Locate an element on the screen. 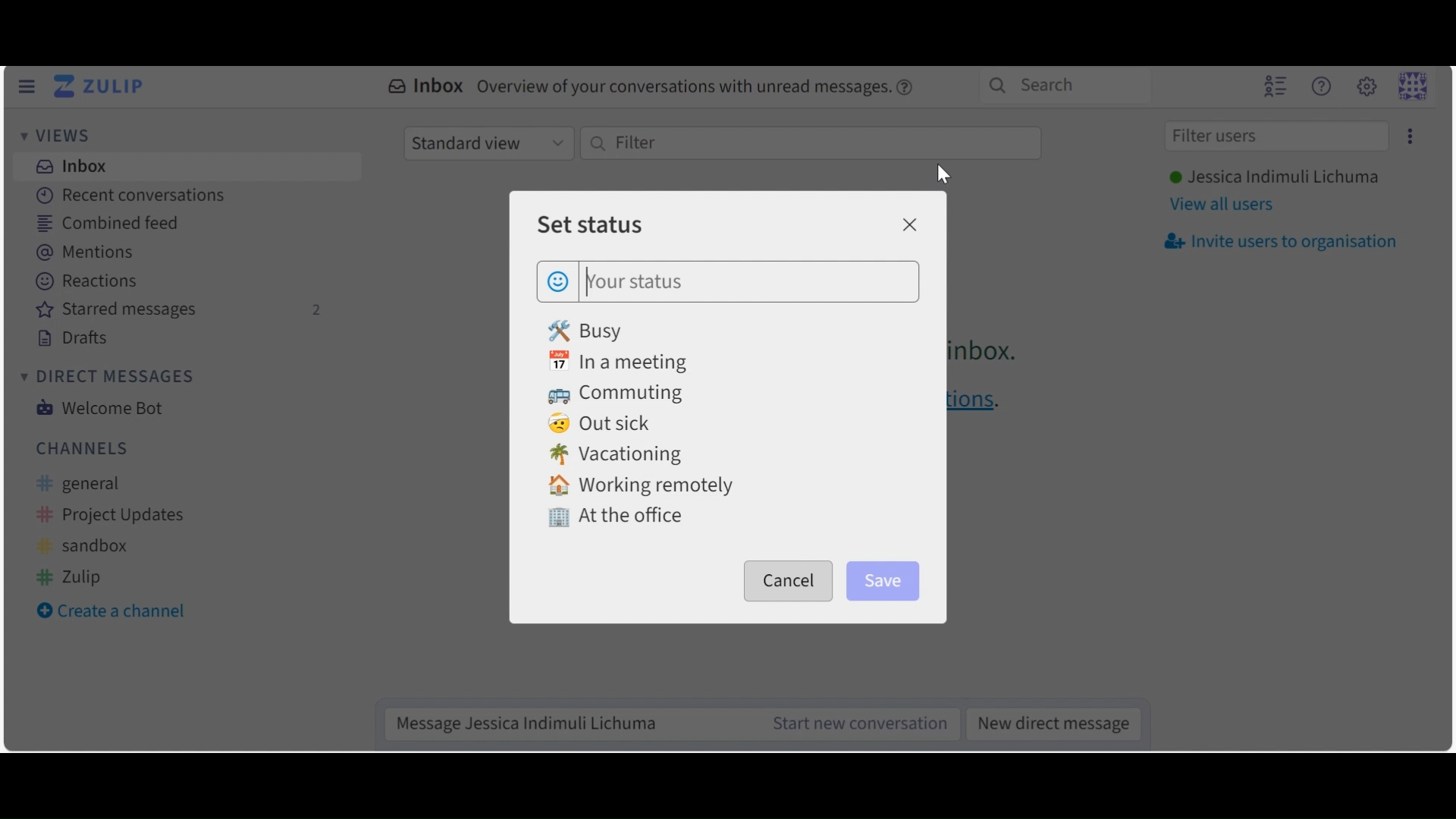 This screenshot has width=1456, height=819. Welcome Bot is located at coordinates (98, 408).